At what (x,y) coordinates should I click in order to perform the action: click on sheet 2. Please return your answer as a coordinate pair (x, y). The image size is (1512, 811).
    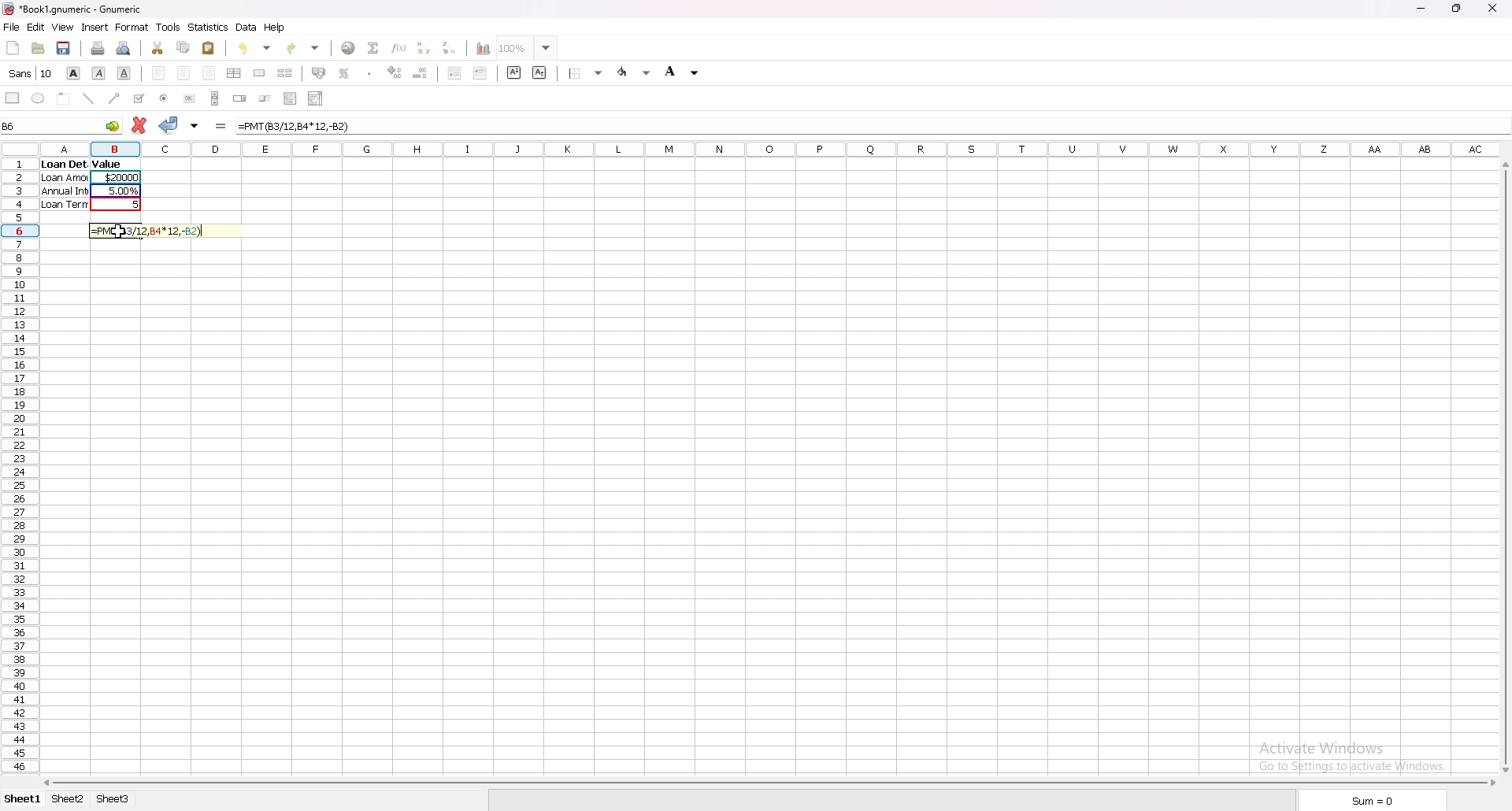
    Looking at the image, I should click on (69, 799).